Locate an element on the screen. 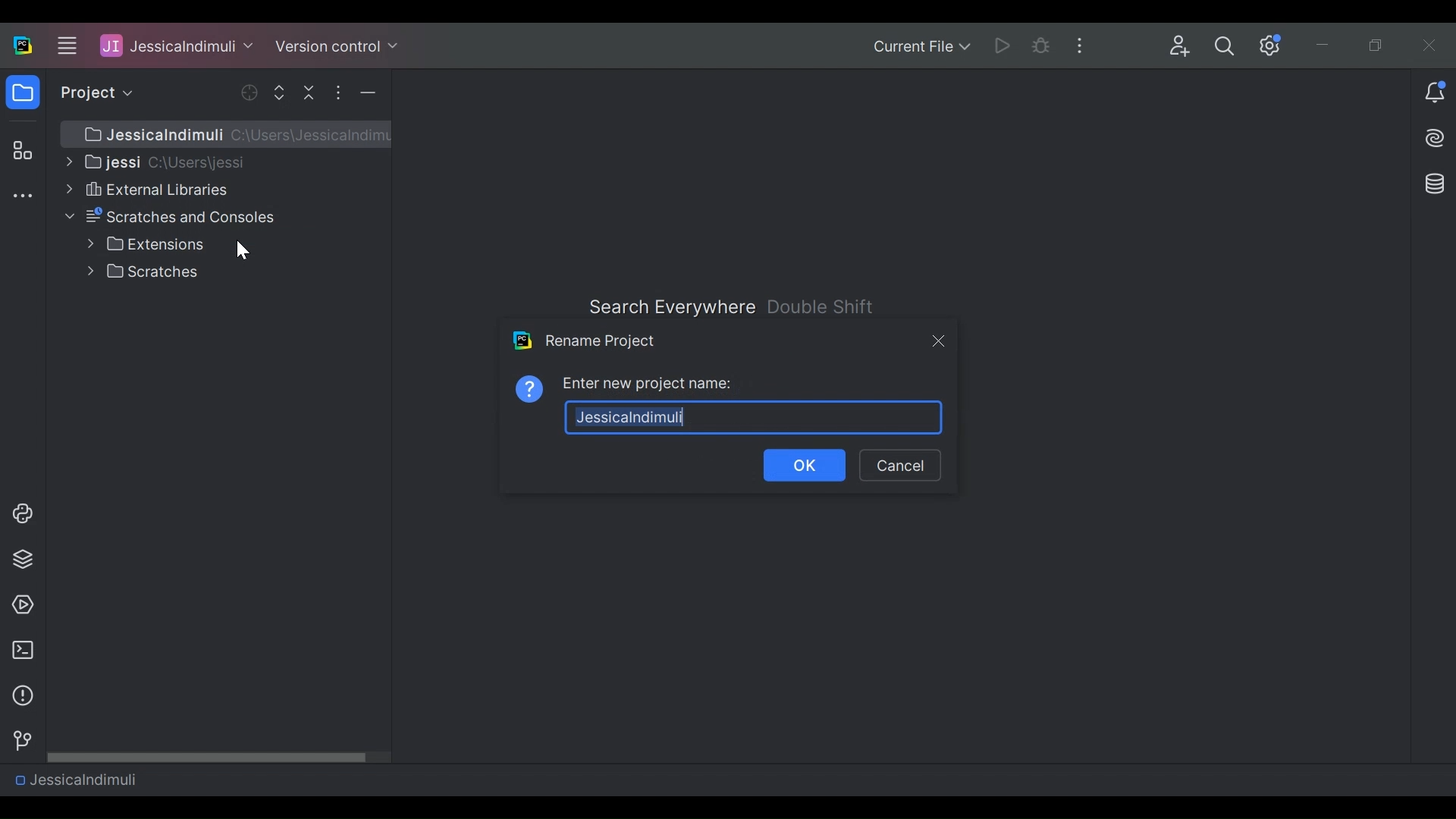  Cancel is located at coordinates (899, 466).